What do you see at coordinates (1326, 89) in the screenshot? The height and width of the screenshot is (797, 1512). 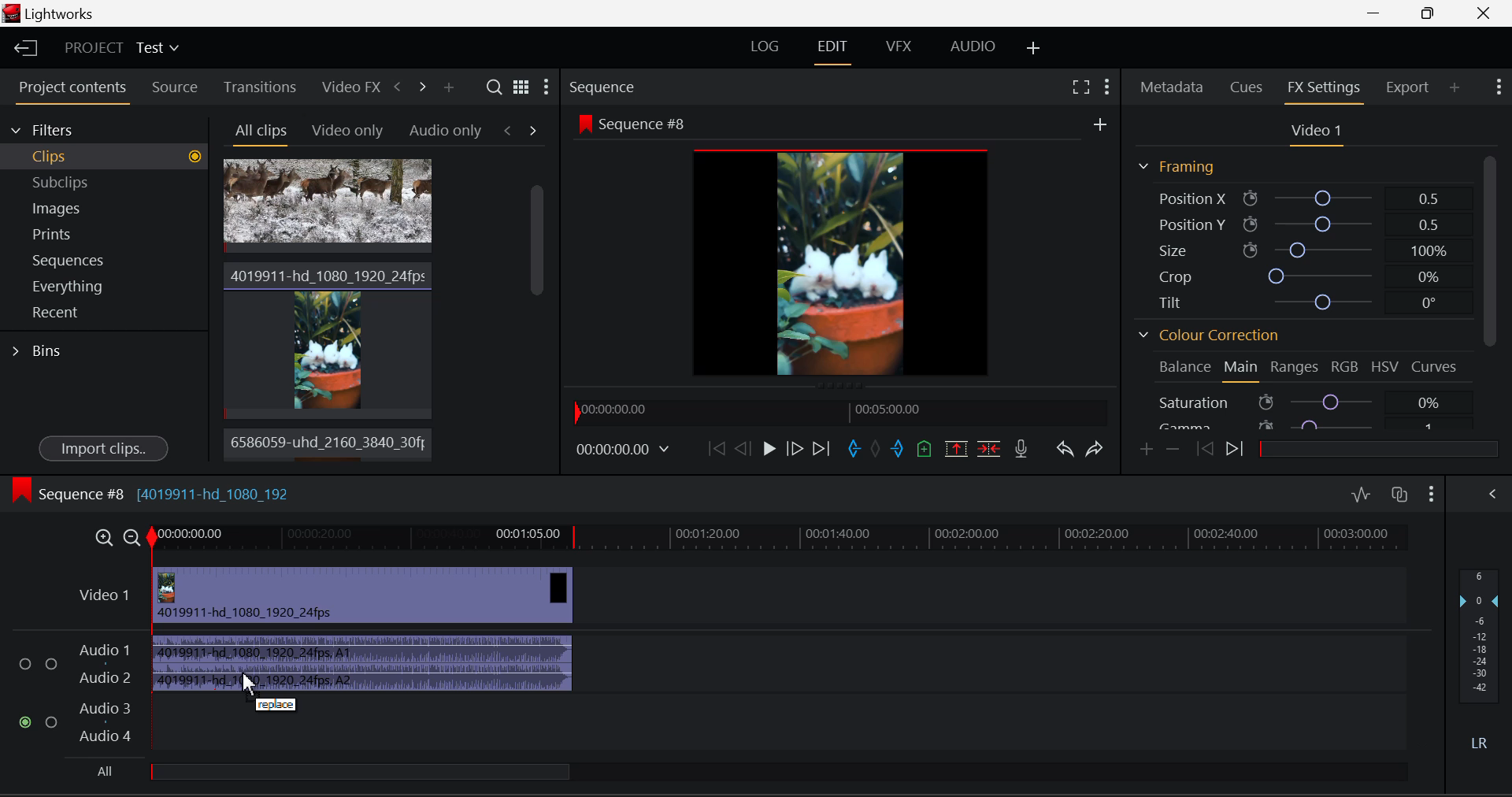 I see `FX Settings Open` at bounding box center [1326, 89].